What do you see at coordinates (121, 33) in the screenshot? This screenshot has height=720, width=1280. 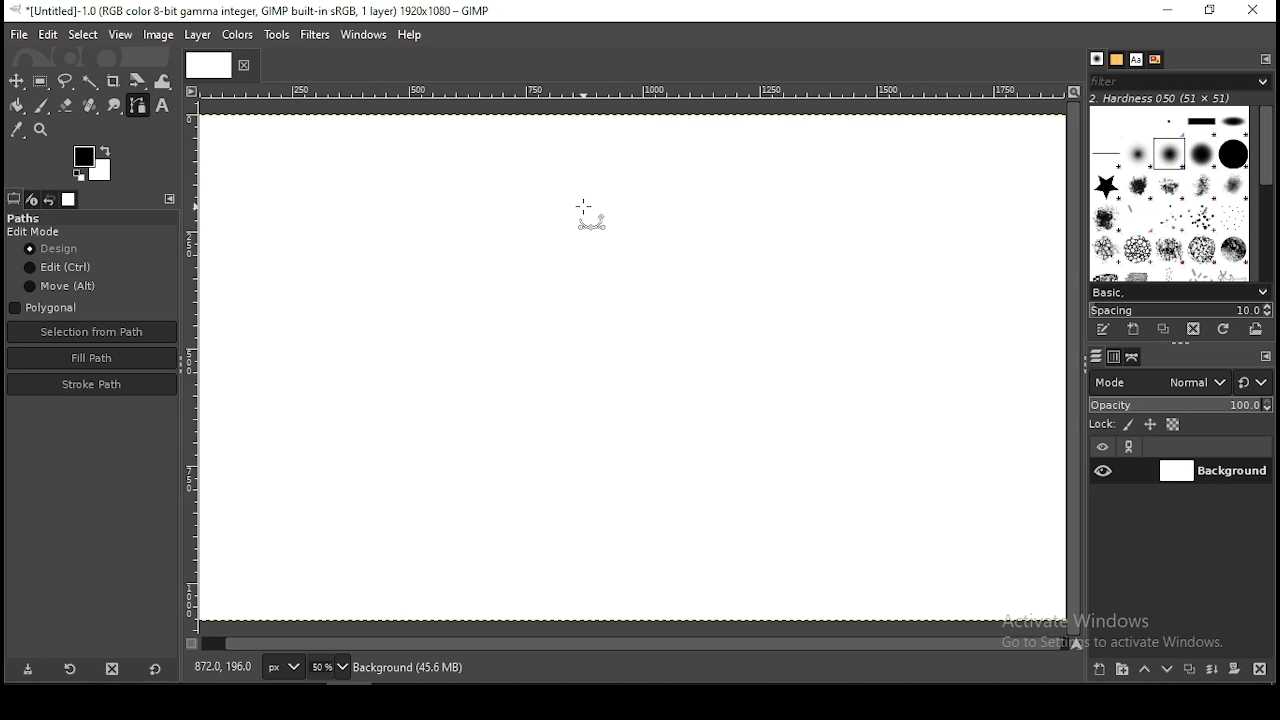 I see `view` at bounding box center [121, 33].